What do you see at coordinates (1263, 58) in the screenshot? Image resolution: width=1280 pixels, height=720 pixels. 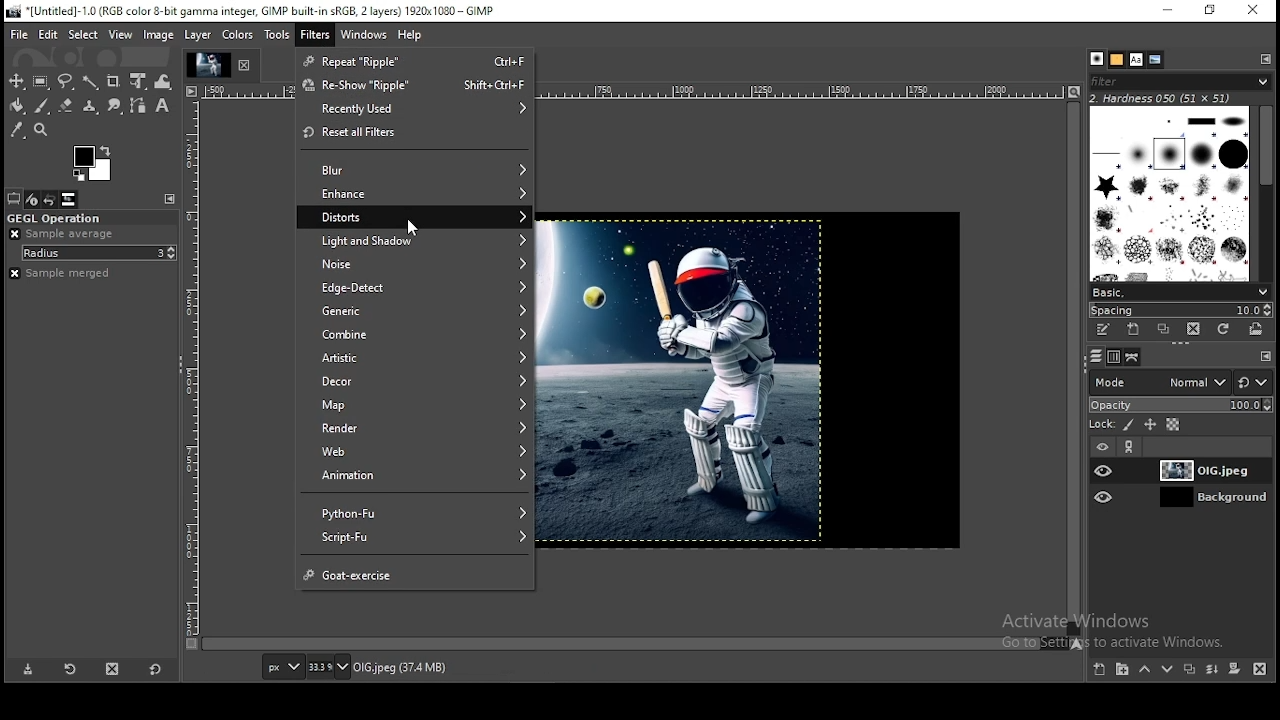 I see `configure this tab` at bounding box center [1263, 58].